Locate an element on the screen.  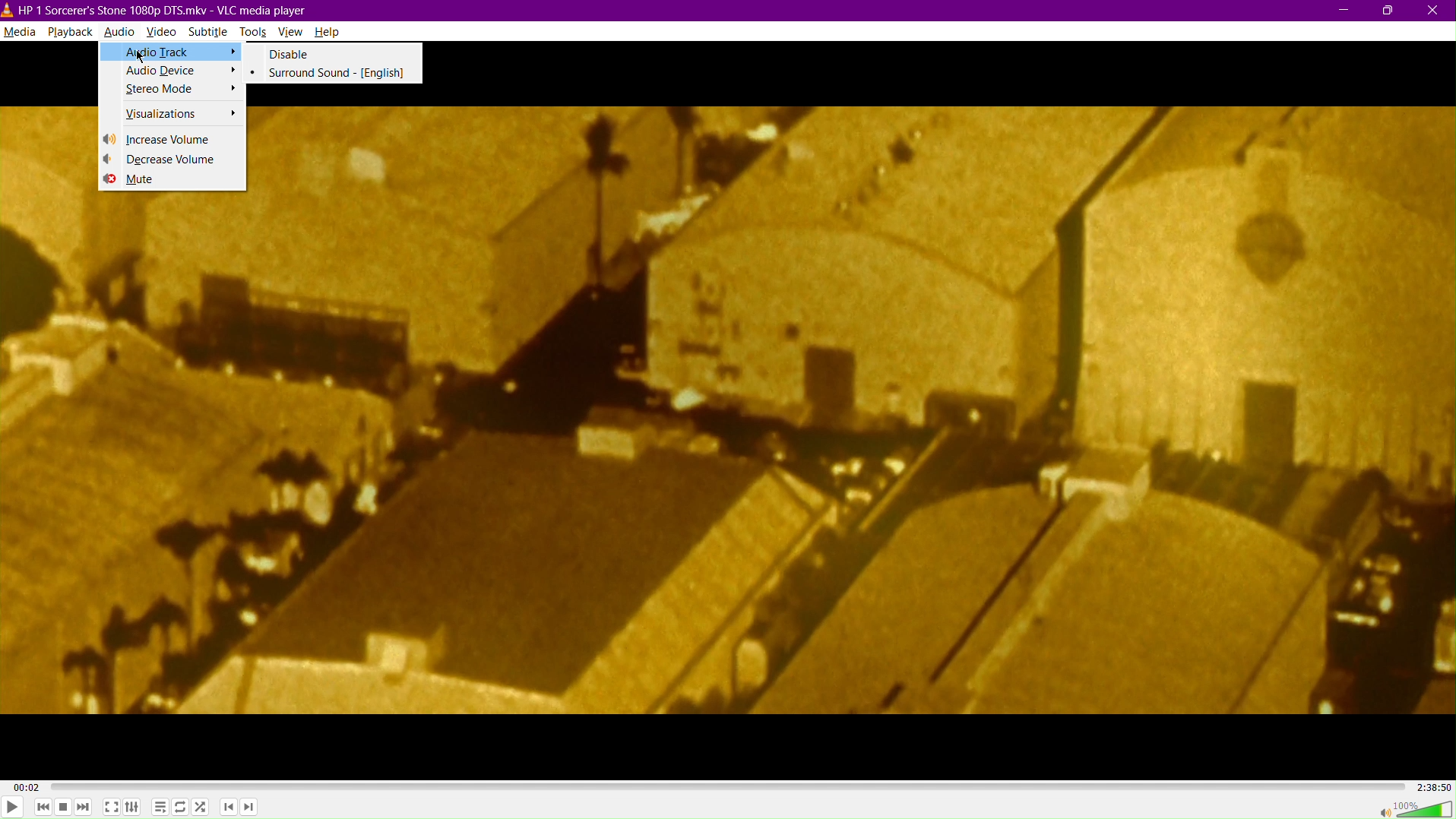
Play is located at coordinates (12, 805).